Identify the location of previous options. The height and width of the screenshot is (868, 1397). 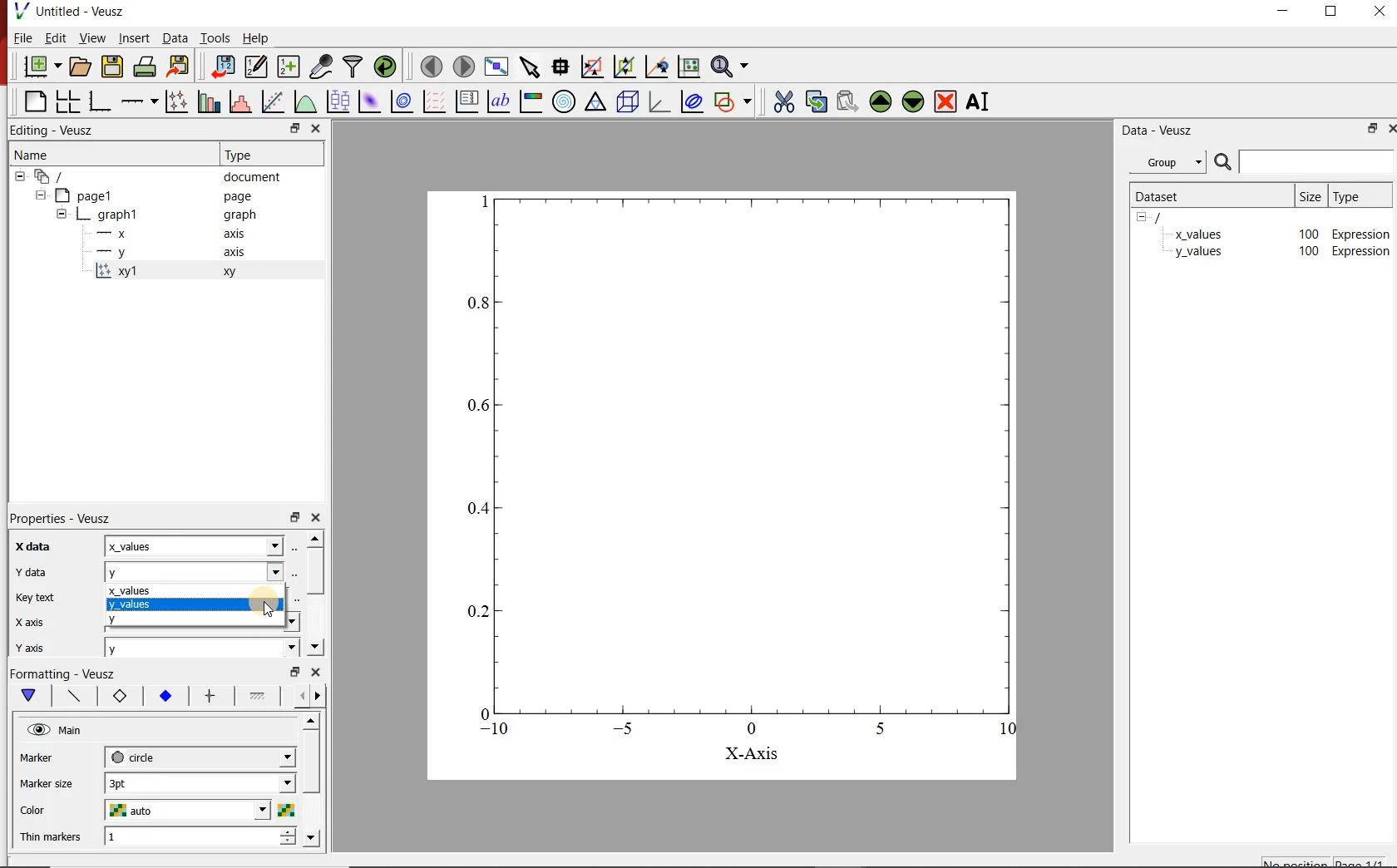
(299, 697).